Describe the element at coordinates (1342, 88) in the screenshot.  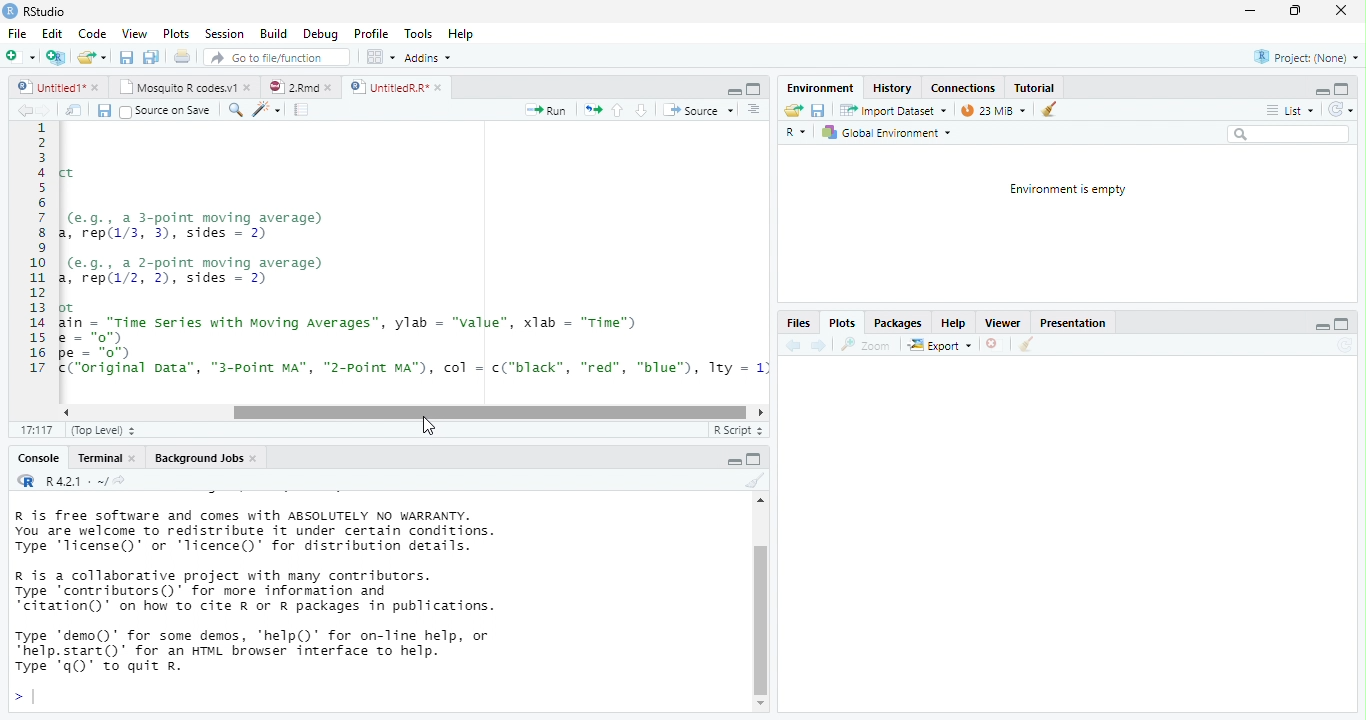
I see `maximize` at that location.